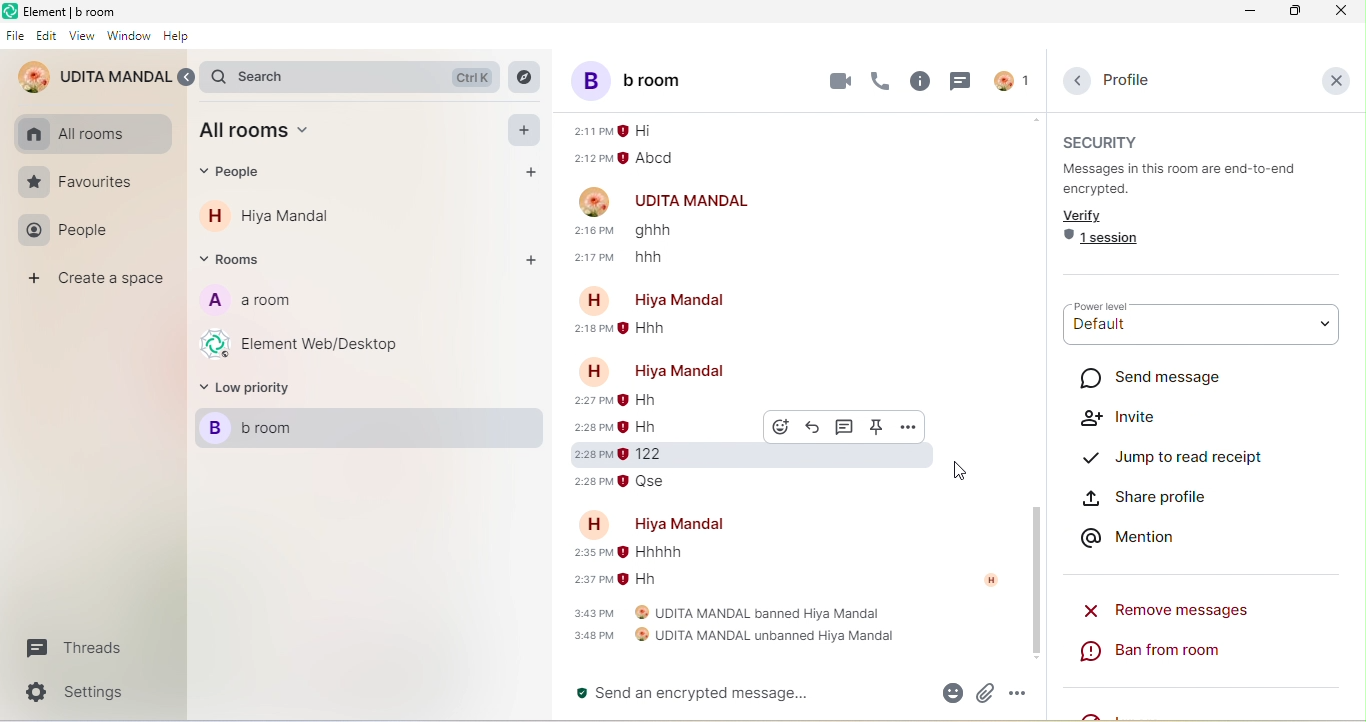 The image size is (1366, 722). Describe the element at coordinates (47, 36) in the screenshot. I see `edit` at that location.